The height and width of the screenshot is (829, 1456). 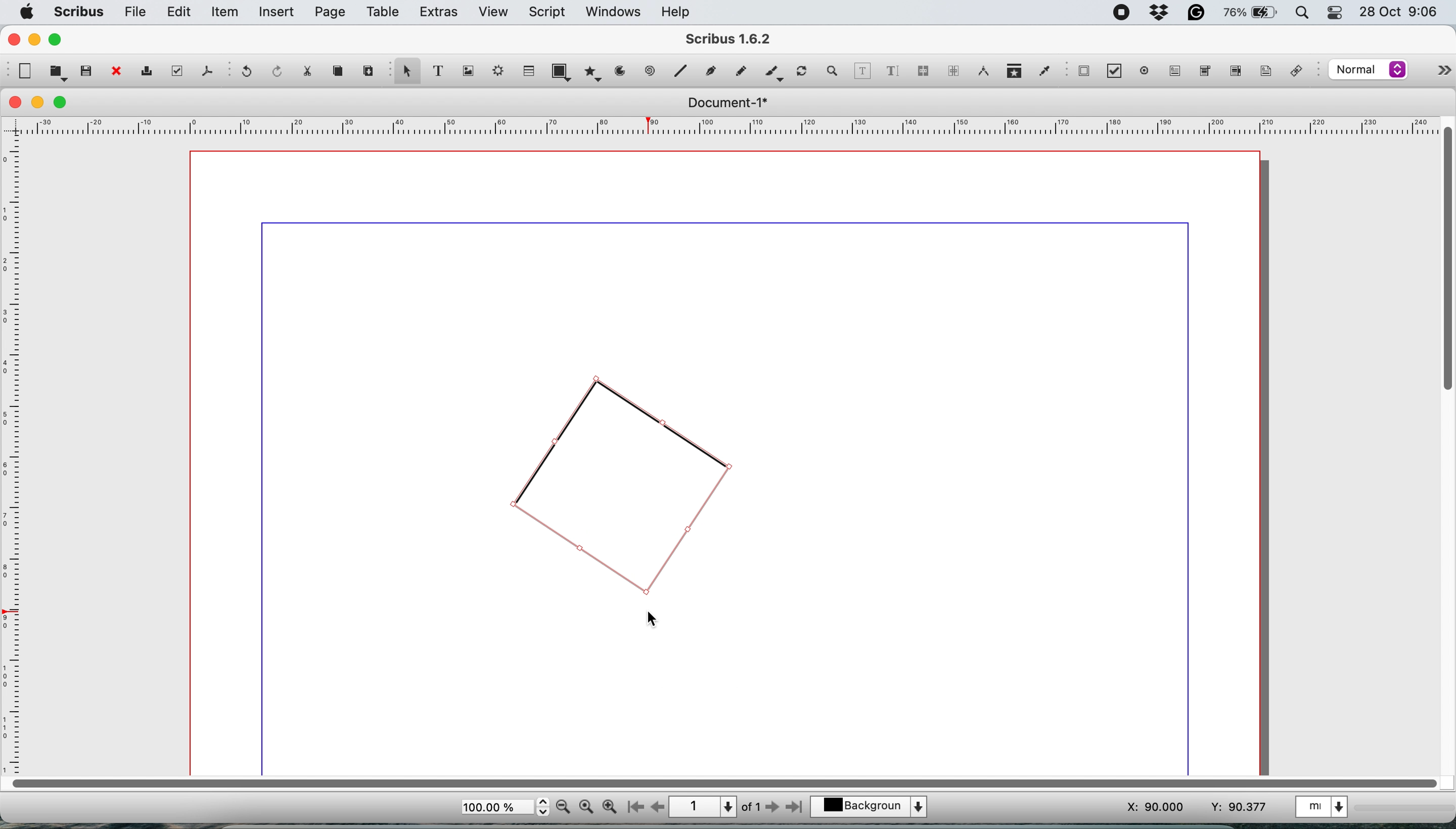 I want to click on script, so click(x=550, y=12).